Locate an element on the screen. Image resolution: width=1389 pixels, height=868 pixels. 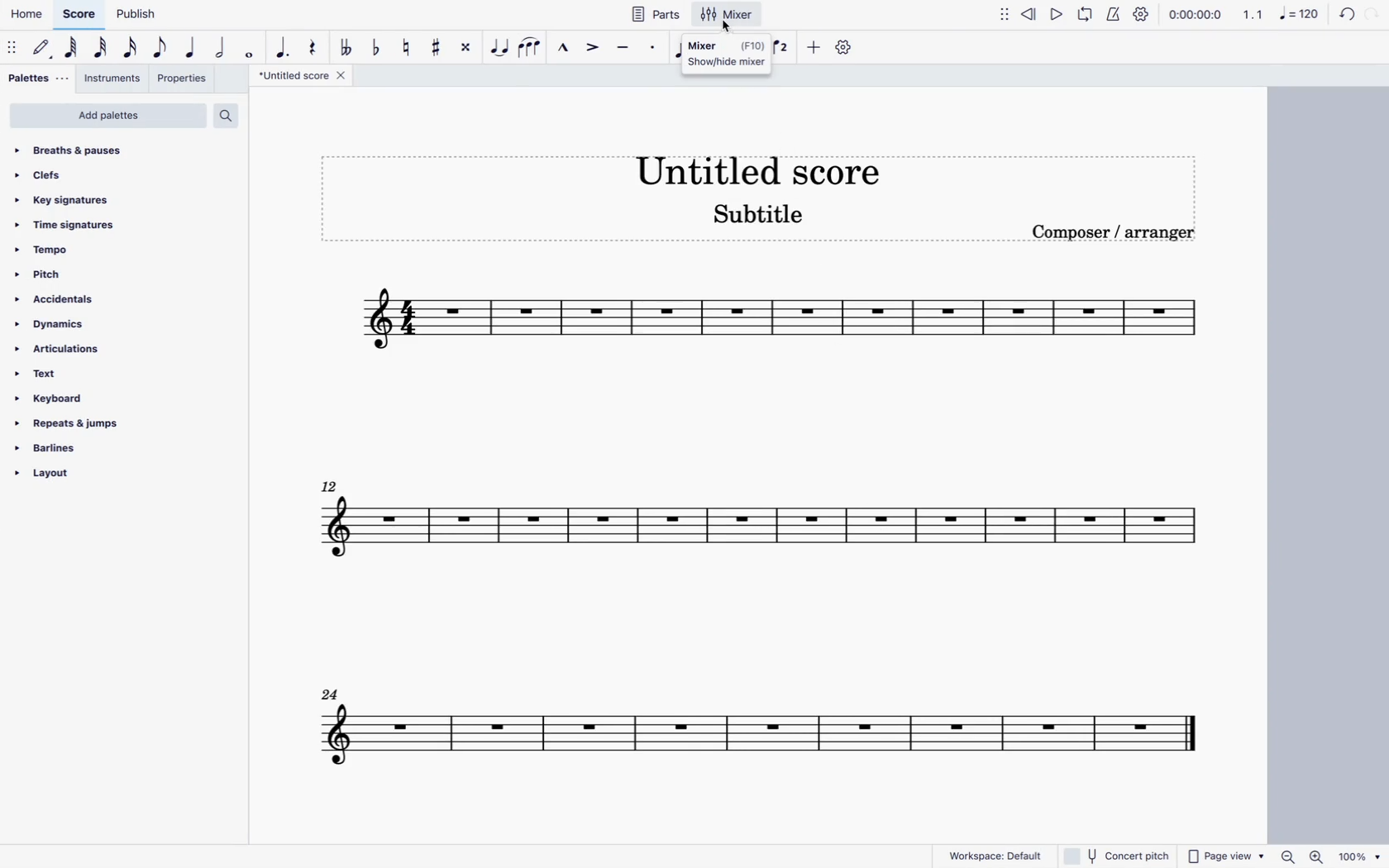
tie is located at coordinates (501, 46).